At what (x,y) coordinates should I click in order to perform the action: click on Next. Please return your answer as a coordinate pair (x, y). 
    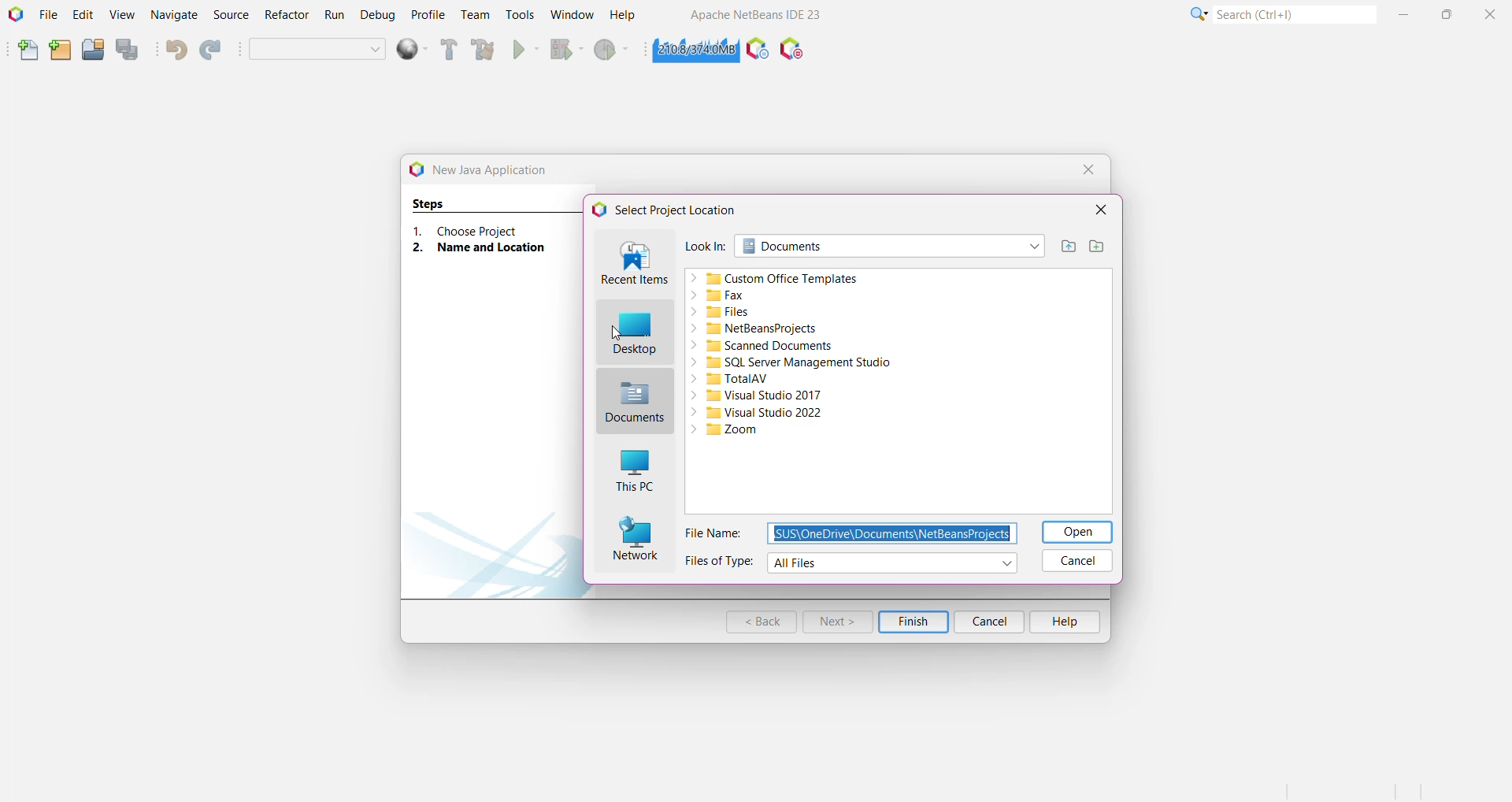
    Looking at the image, I should click on (836, 622).